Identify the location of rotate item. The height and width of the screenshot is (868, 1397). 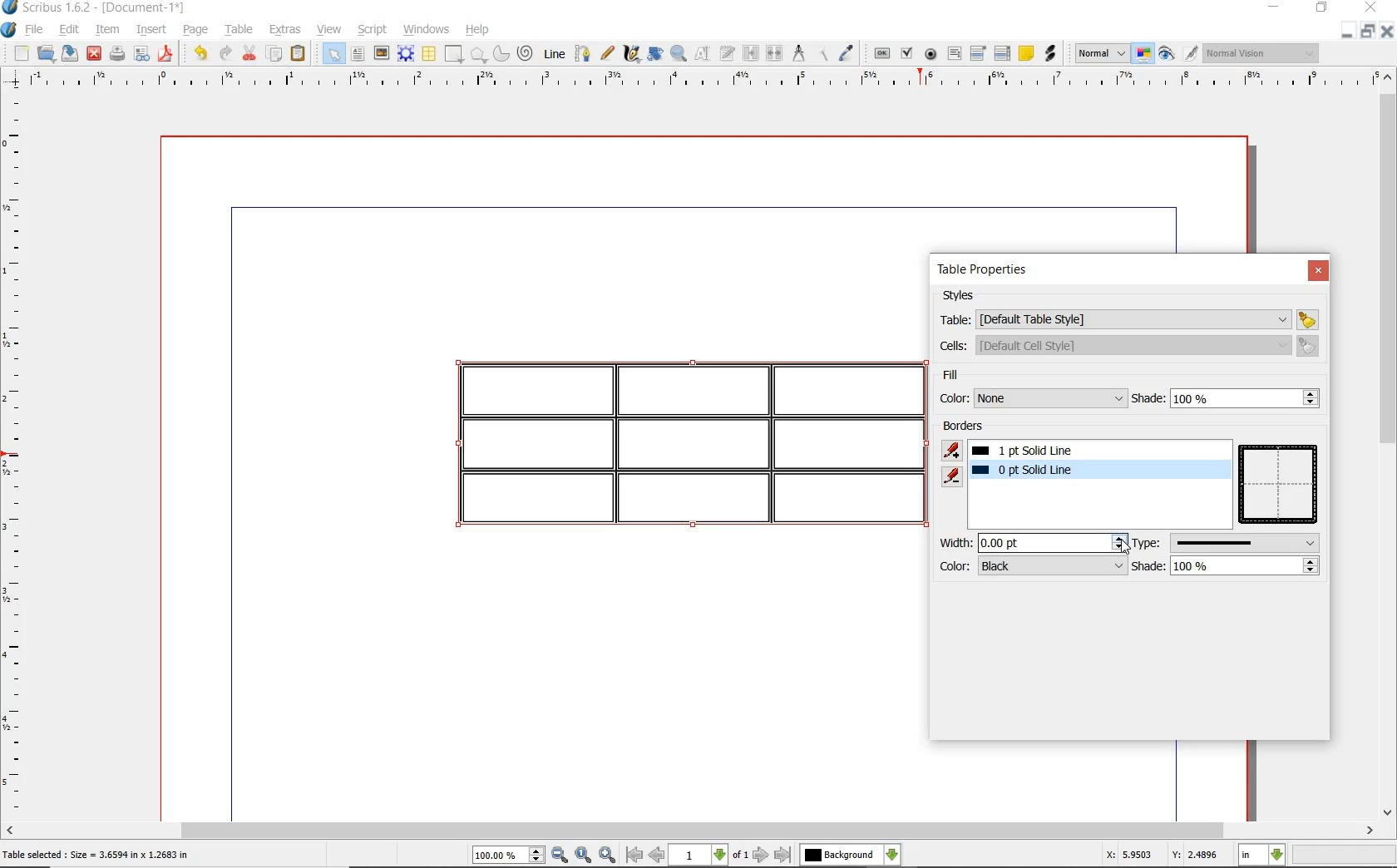
(655, 55).